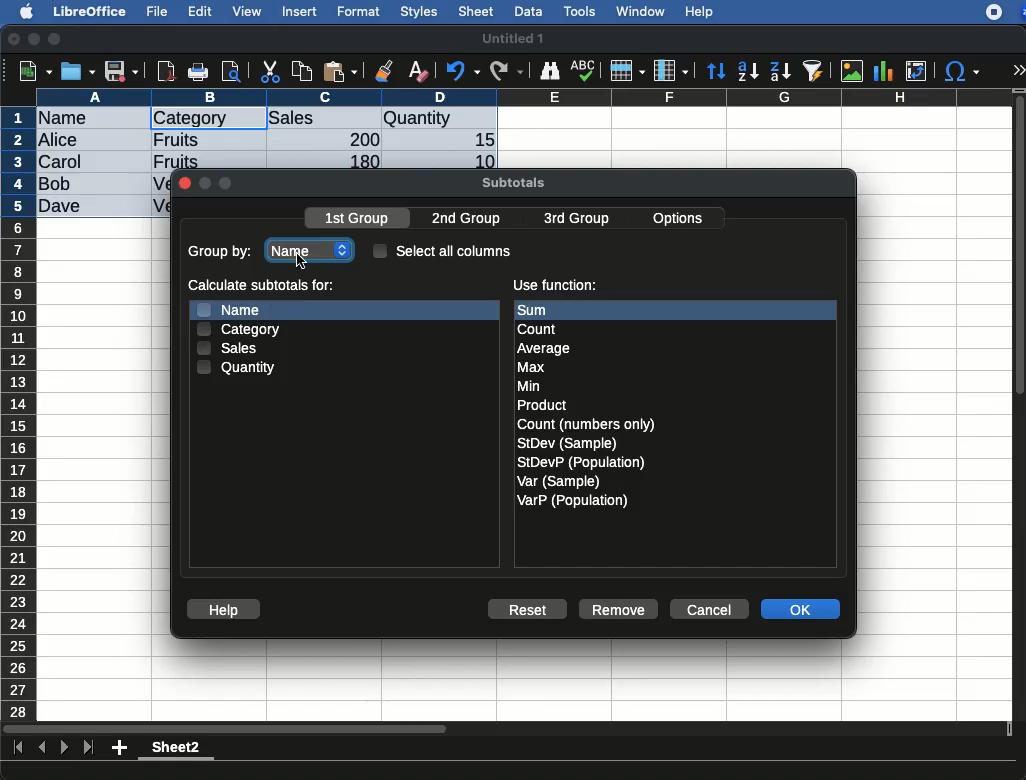 The image size is (1026, 780). I want to click on group by, so click(222, 253).